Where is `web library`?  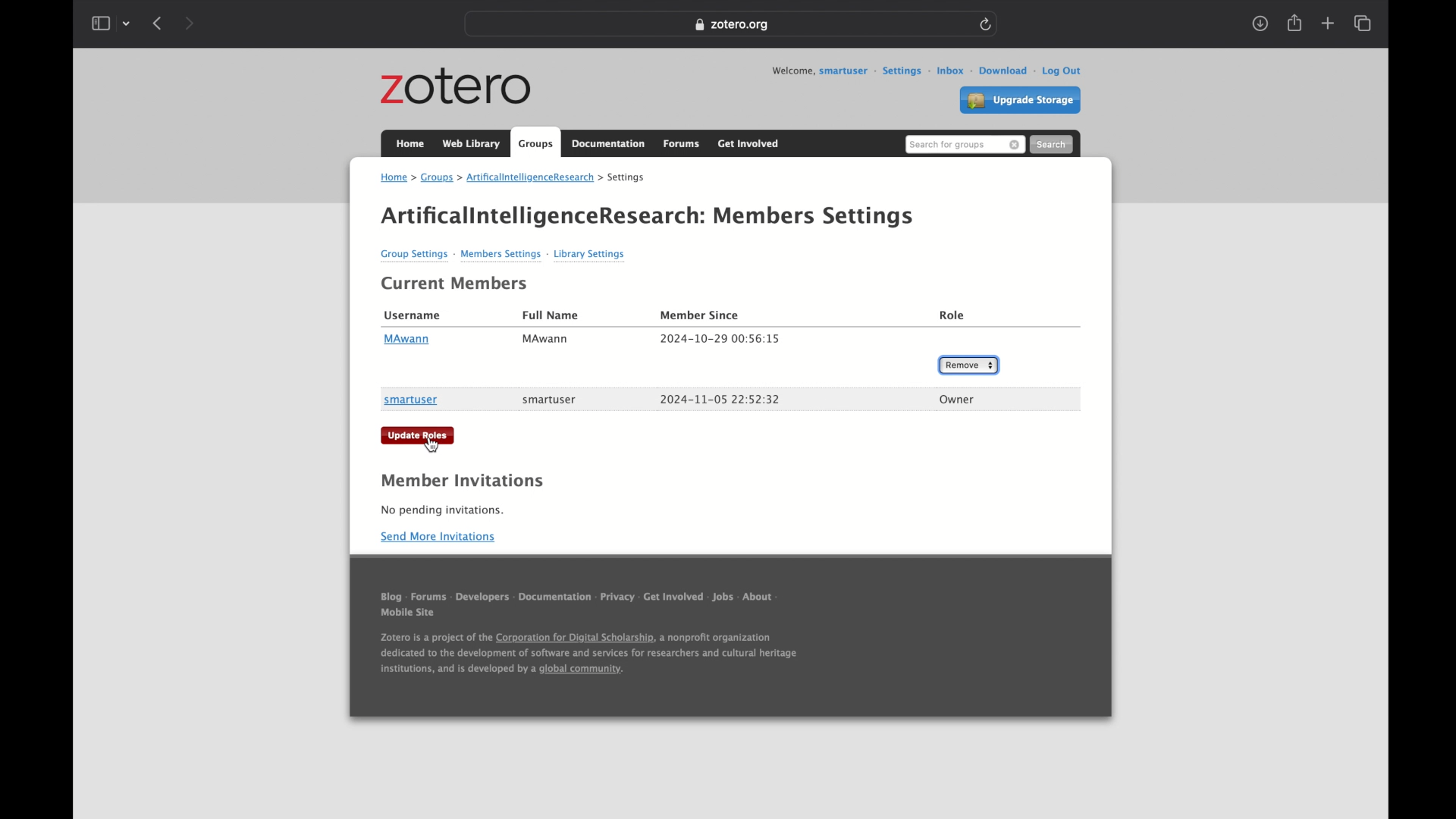
web library is located at coordinates (472, 144).